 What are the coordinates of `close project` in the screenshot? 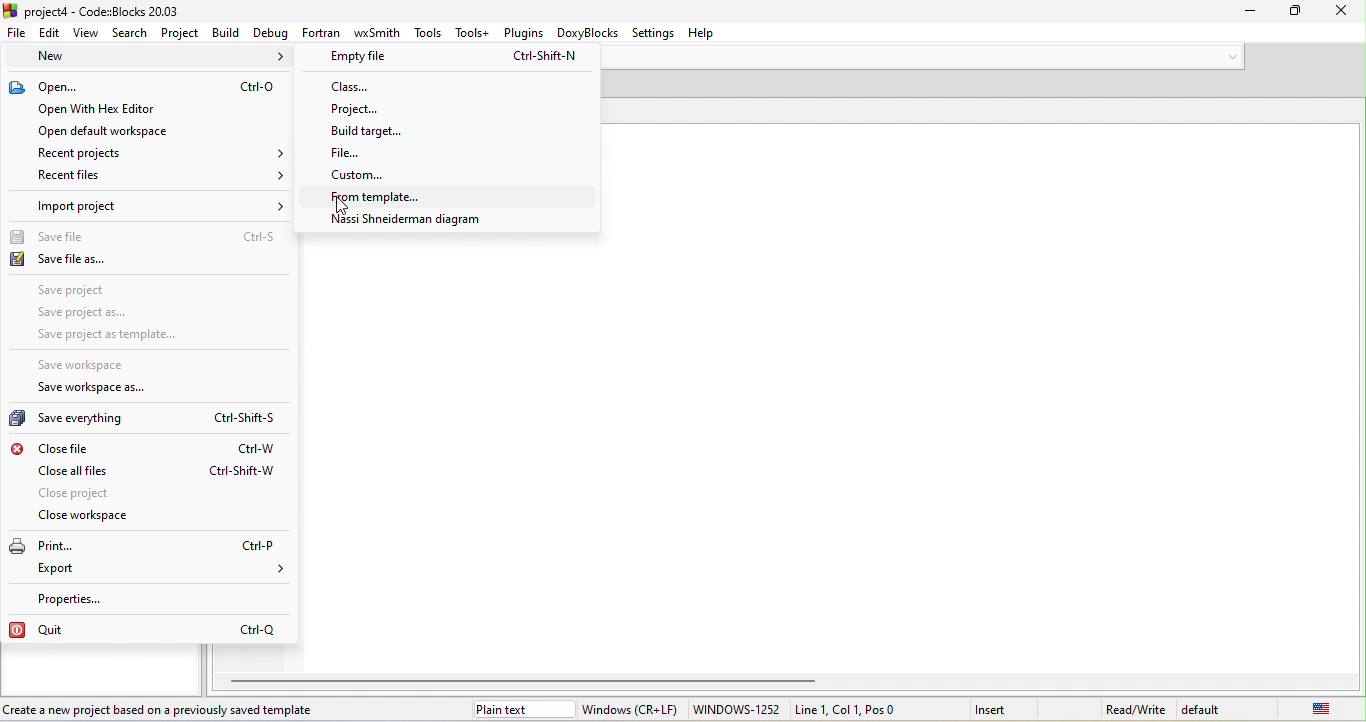 It's located at (97, 493).